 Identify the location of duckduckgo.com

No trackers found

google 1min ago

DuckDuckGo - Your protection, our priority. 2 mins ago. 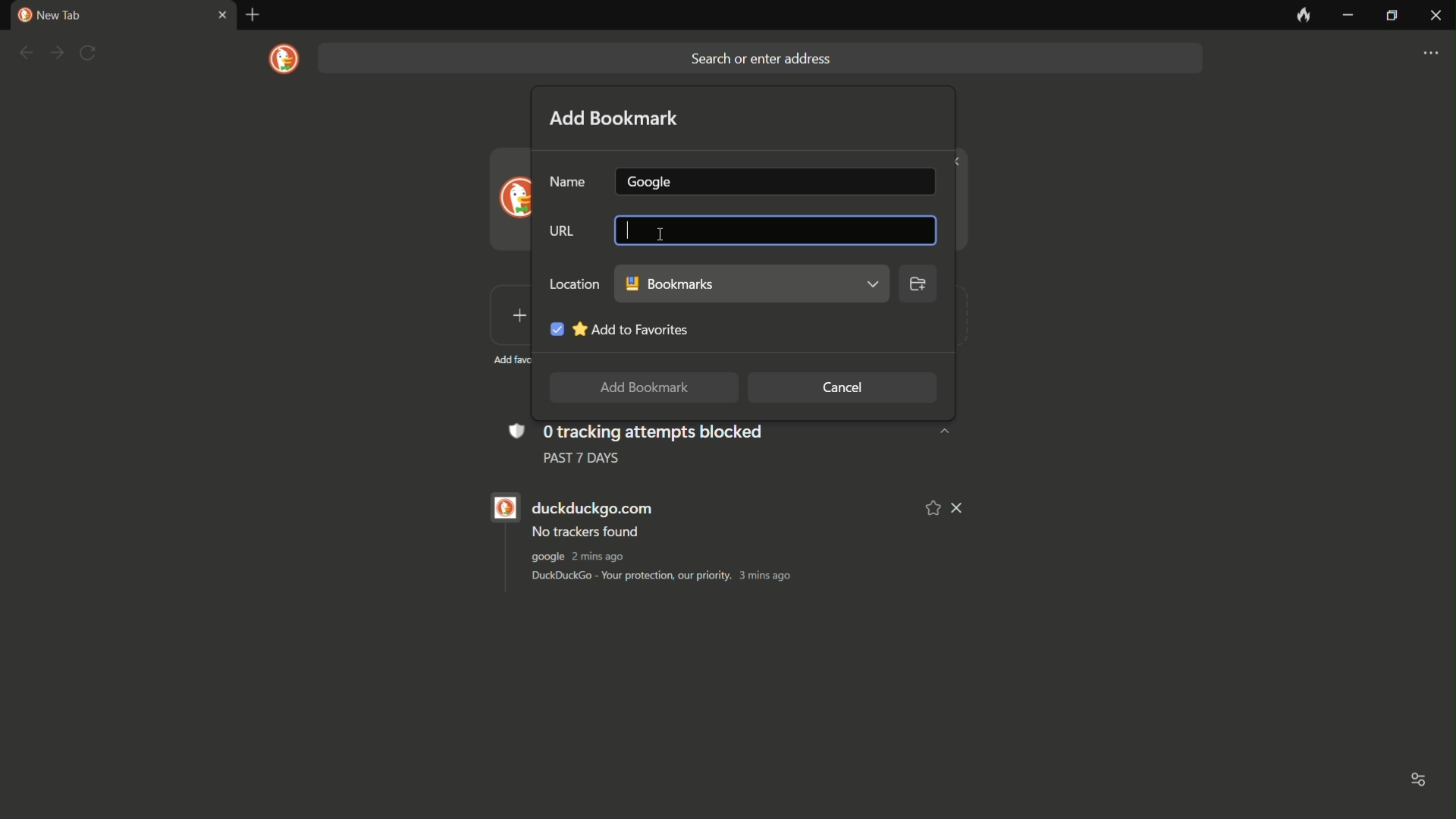
(703, 542).